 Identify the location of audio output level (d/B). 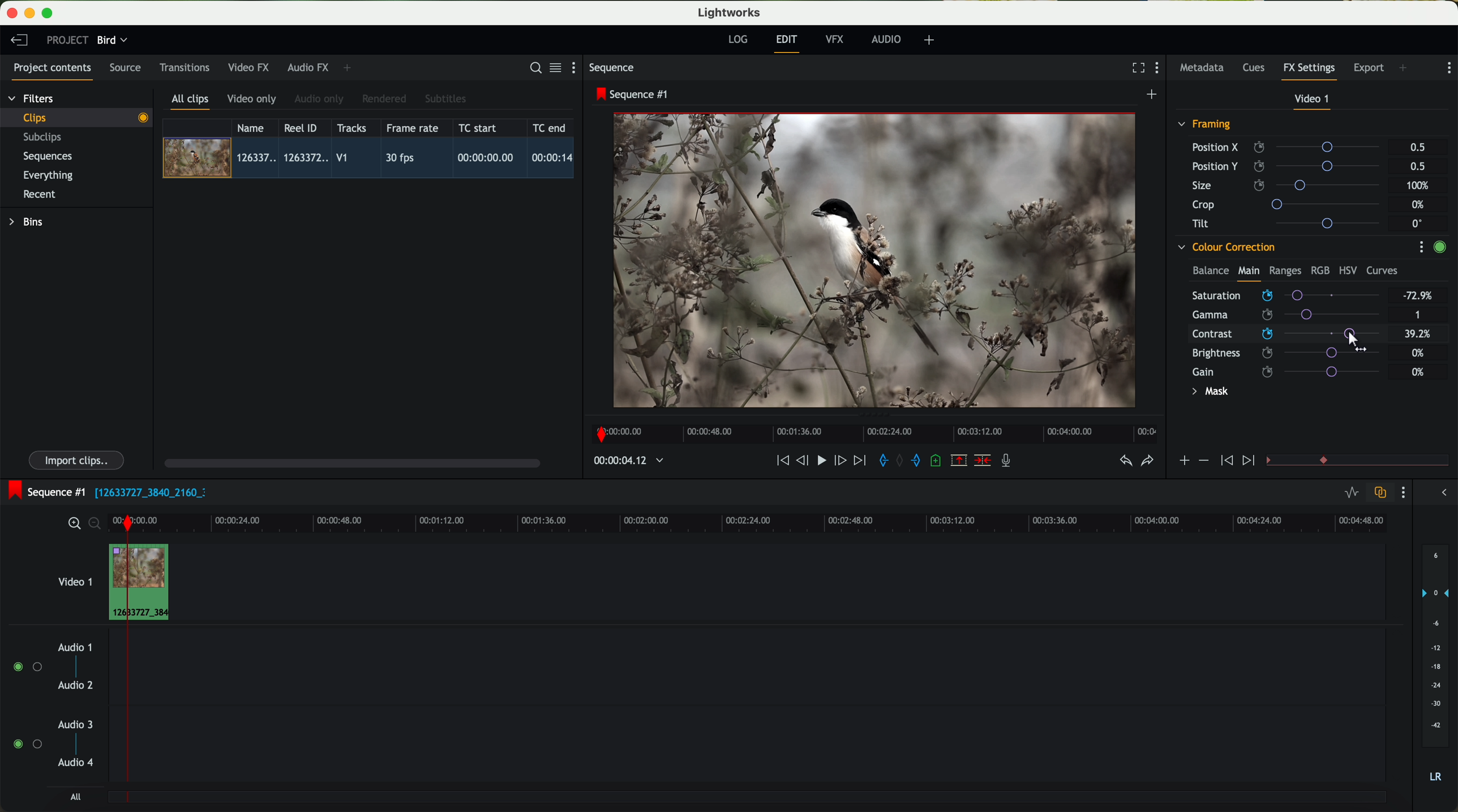
(1436, 667).